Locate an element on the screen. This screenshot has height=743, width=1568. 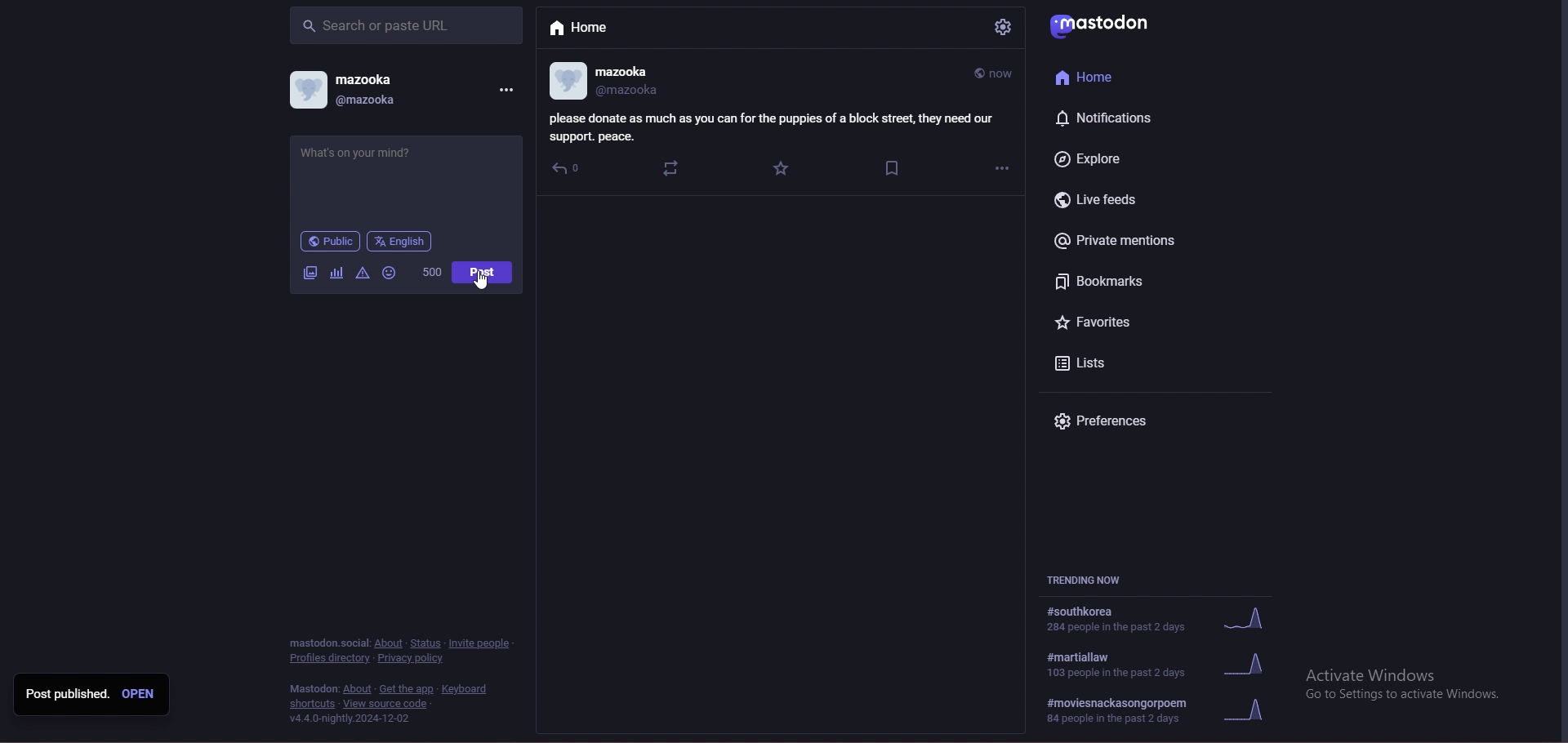
view source code is located at coordinates (386, 704).